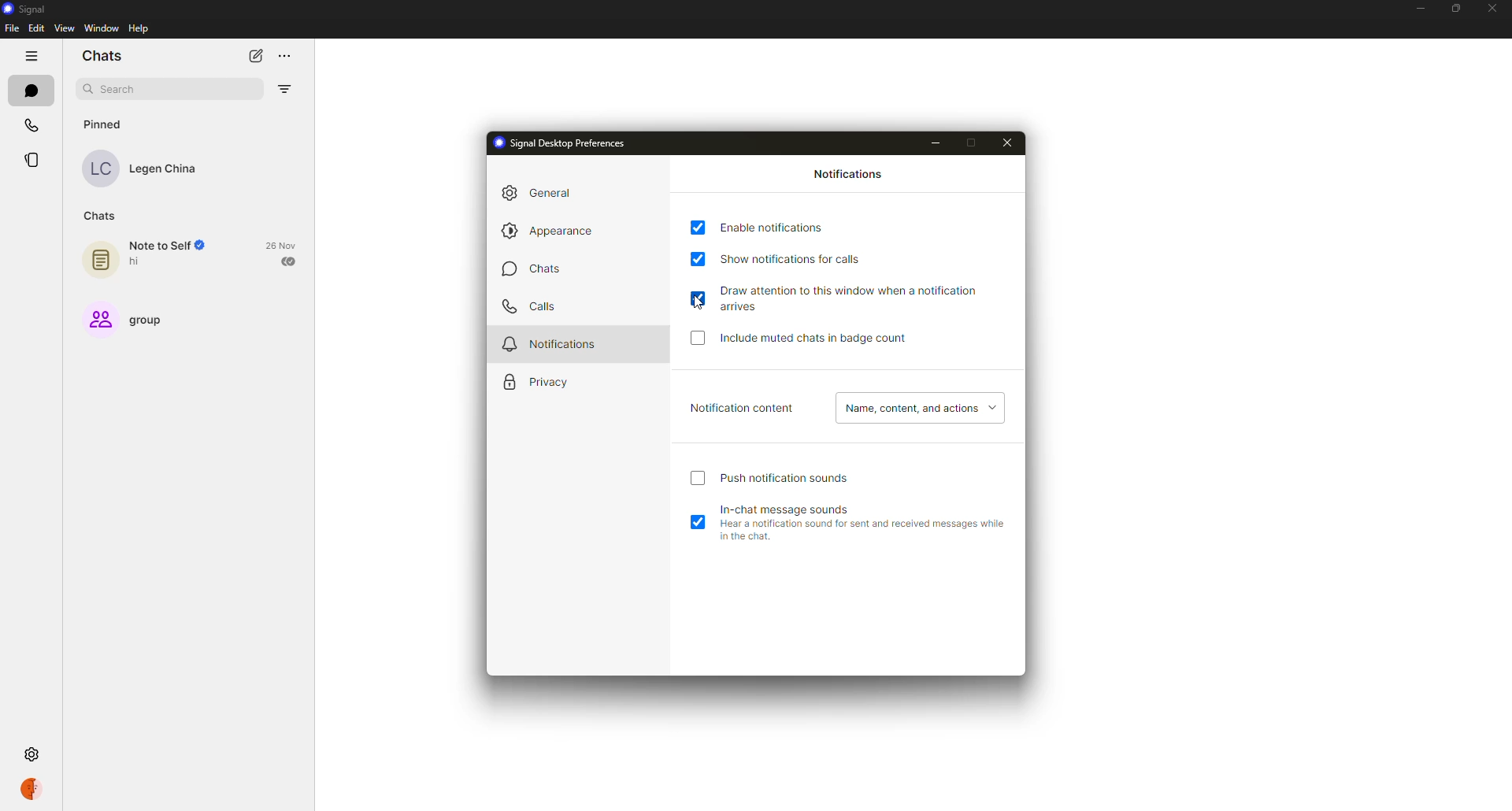  I want to click on search, so click(121, 90).